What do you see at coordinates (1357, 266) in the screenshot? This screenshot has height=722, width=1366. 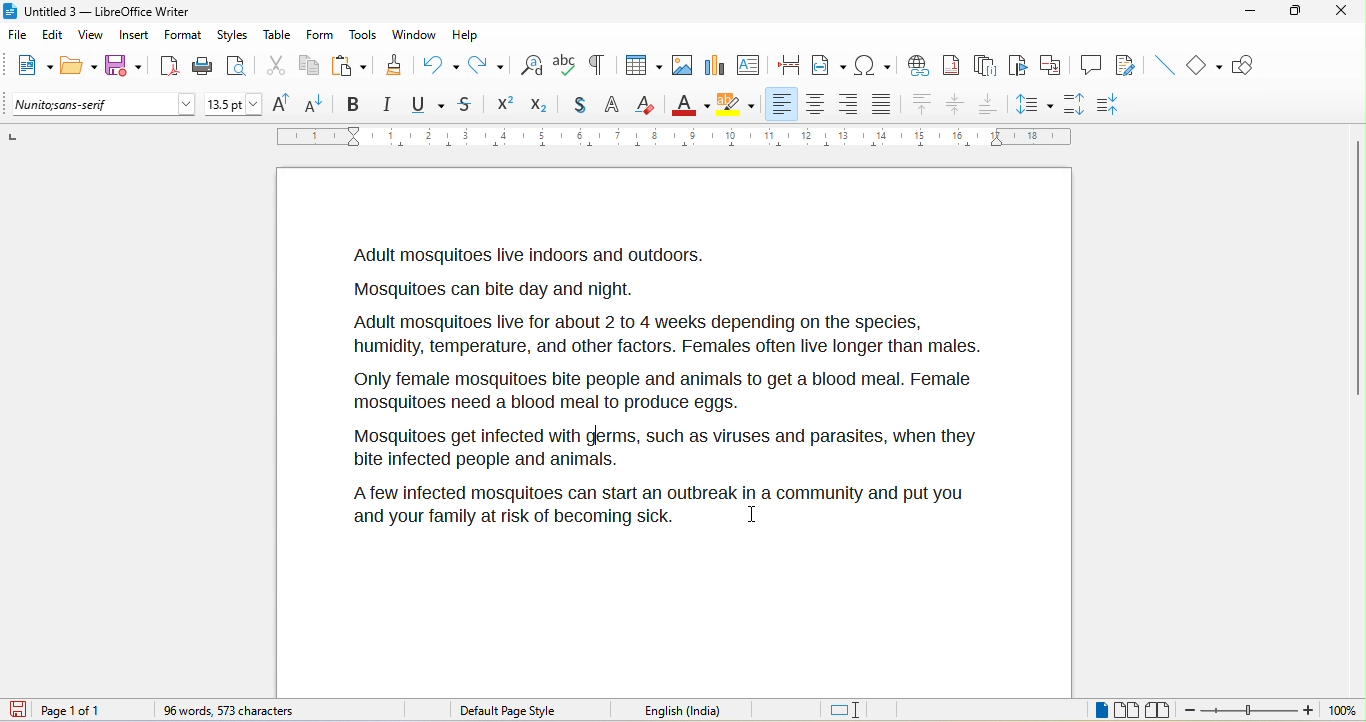 I see `vertical scroll bar` at bounding box center [1357, 266].